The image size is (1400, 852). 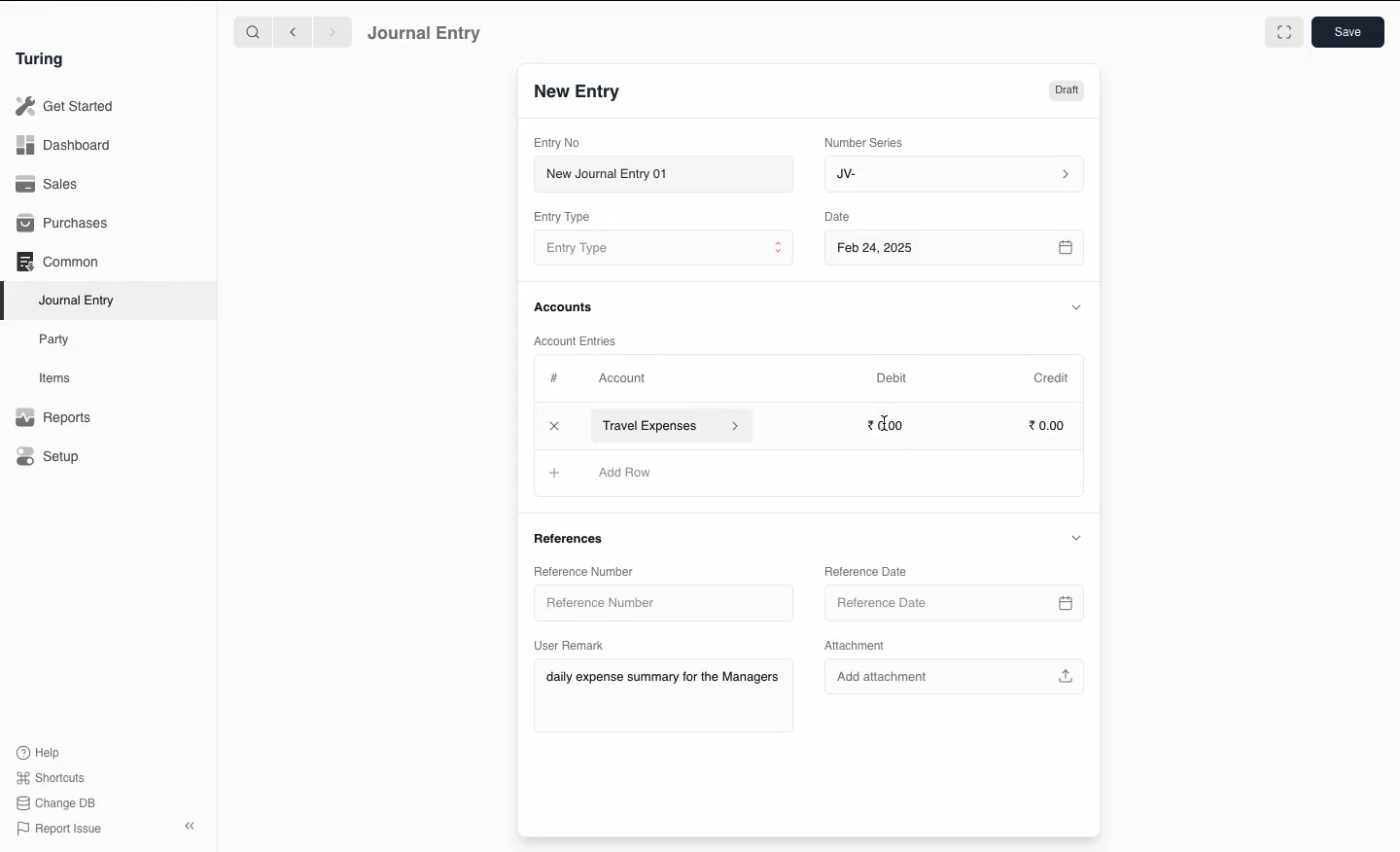 I want to click on Reference Date, so click(x=864, y=570).